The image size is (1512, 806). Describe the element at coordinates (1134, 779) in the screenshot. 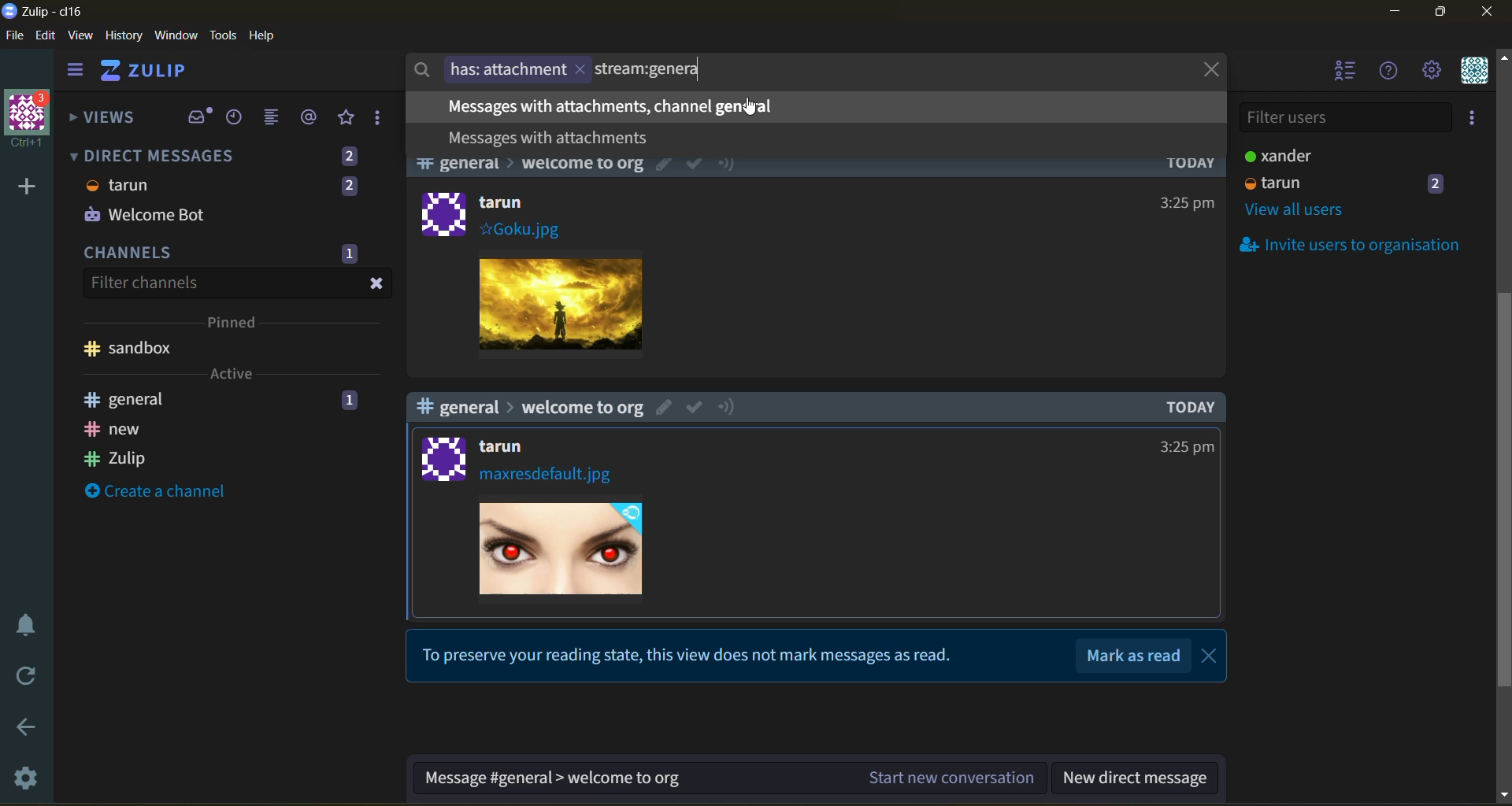

I see `new direct message` at that location.